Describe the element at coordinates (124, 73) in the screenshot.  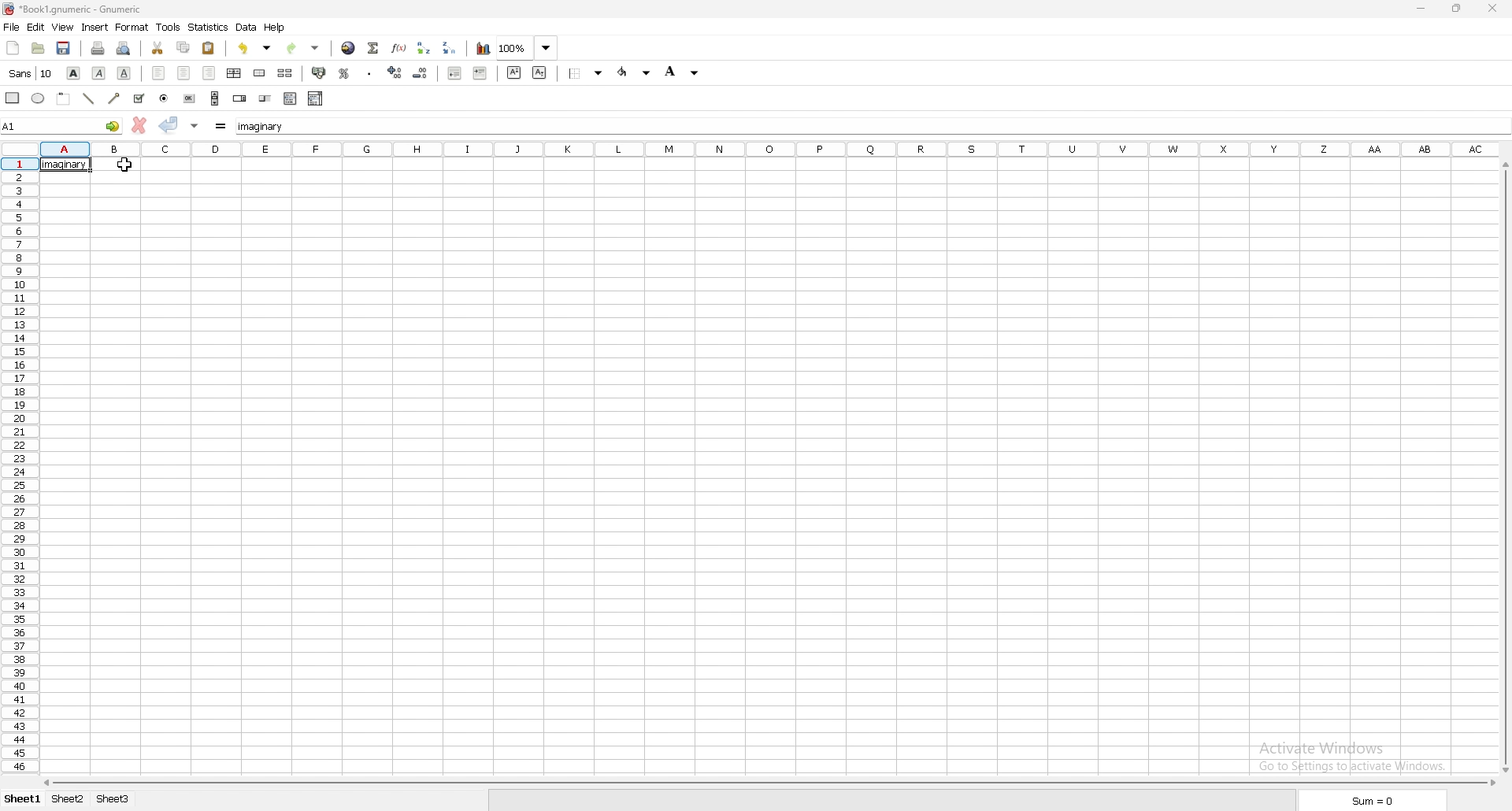
I see `underline` at that location.